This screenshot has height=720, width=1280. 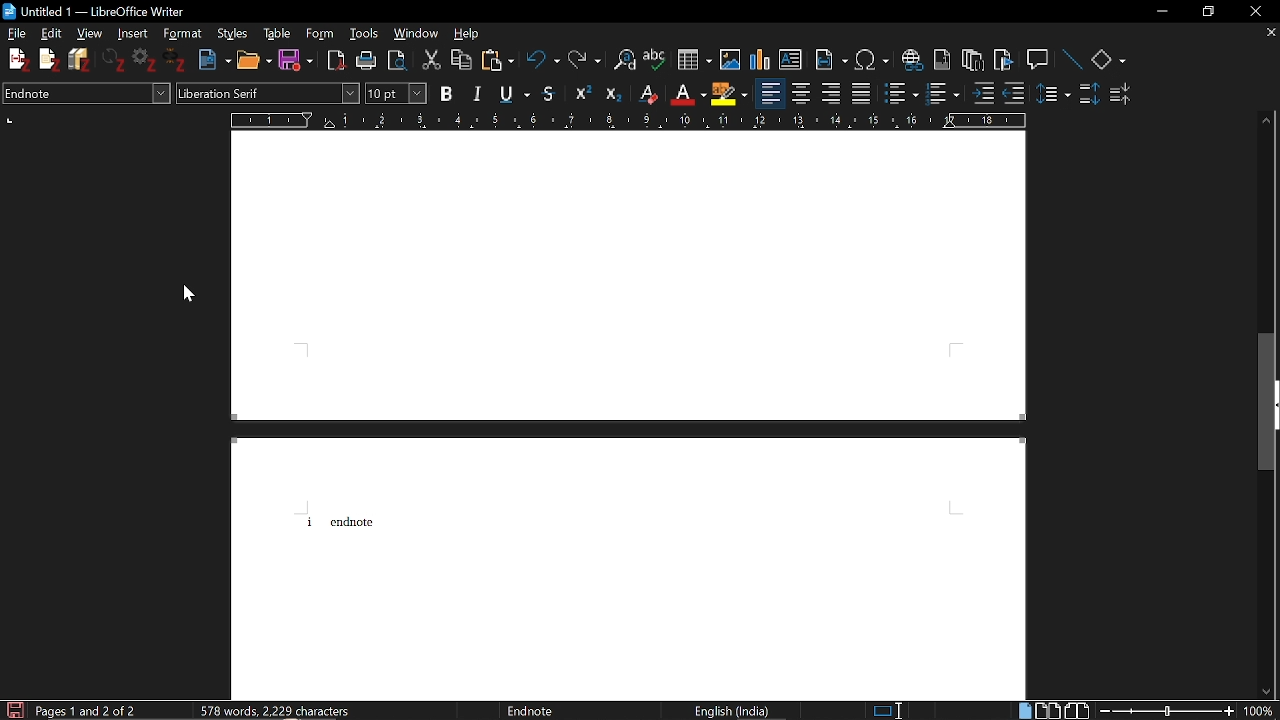 What do you see at coordinates (418, 33) in the screenshot?
I see `Windows` at bounding box center [418, 33].